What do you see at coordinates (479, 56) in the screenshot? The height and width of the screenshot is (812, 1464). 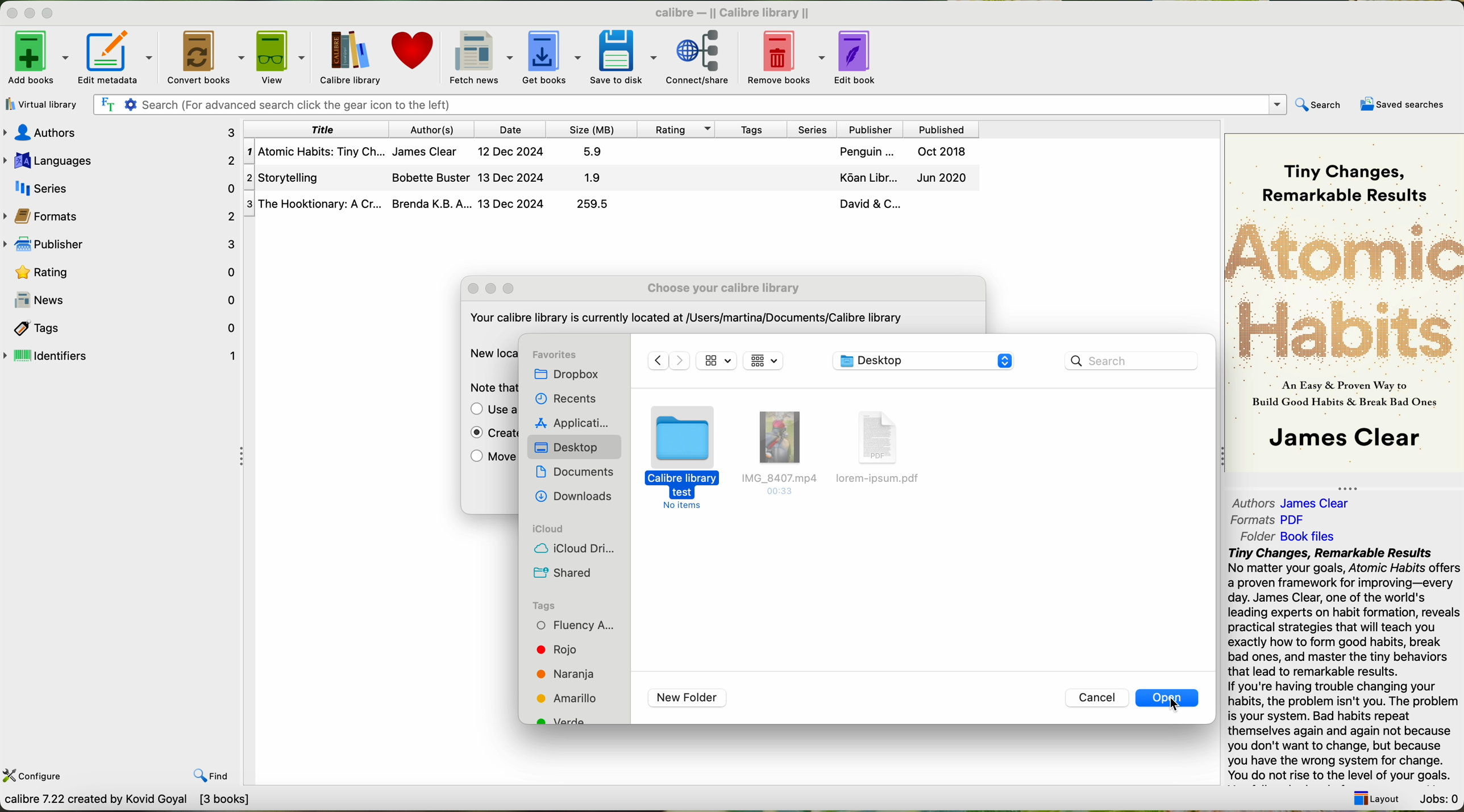 I see `fetch news` at bounding box center [479, 56].